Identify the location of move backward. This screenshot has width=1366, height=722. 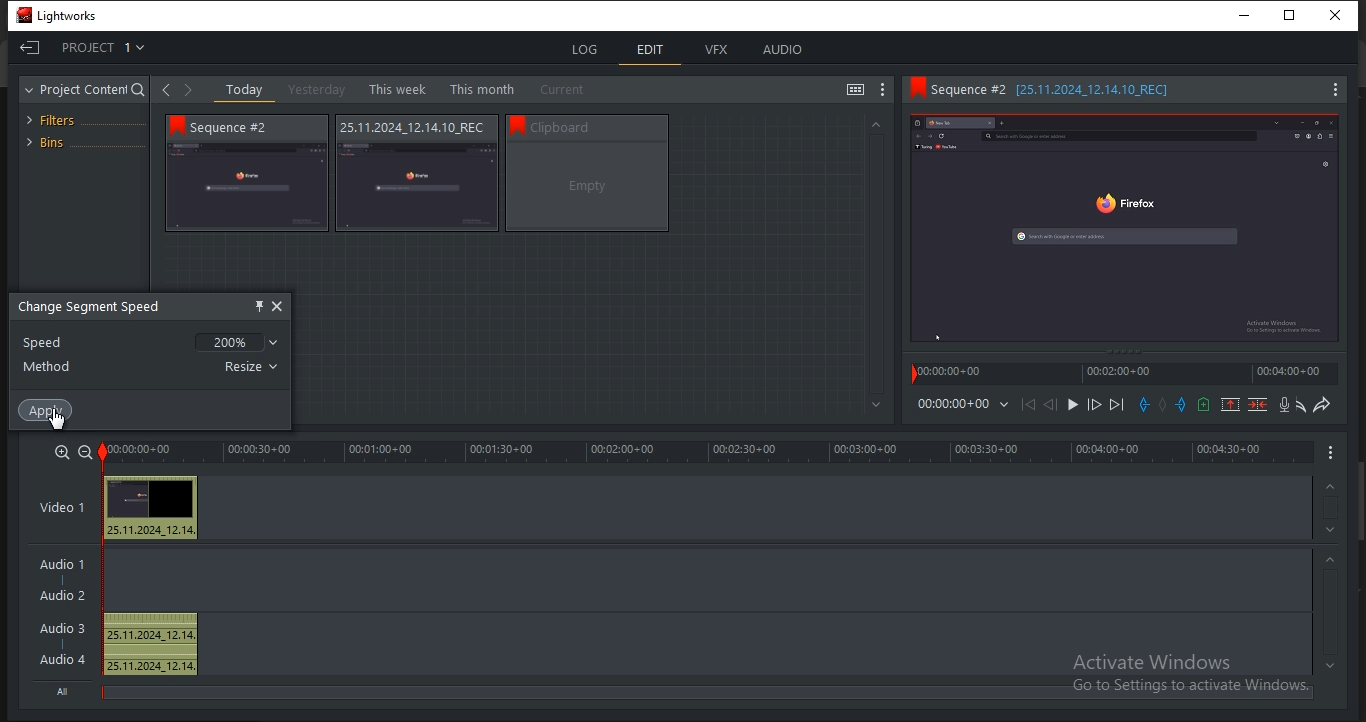
(1028, 405).